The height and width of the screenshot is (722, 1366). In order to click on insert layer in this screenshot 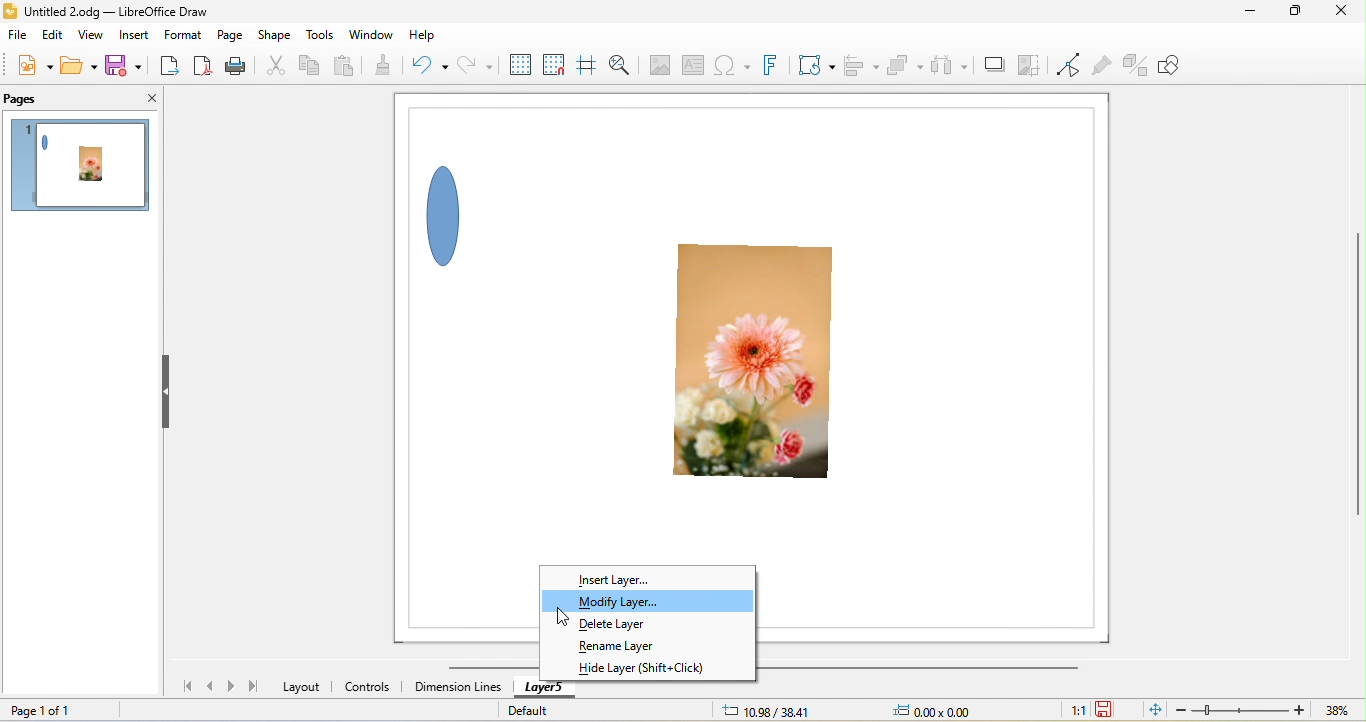, I will do `click(617, 578)`.